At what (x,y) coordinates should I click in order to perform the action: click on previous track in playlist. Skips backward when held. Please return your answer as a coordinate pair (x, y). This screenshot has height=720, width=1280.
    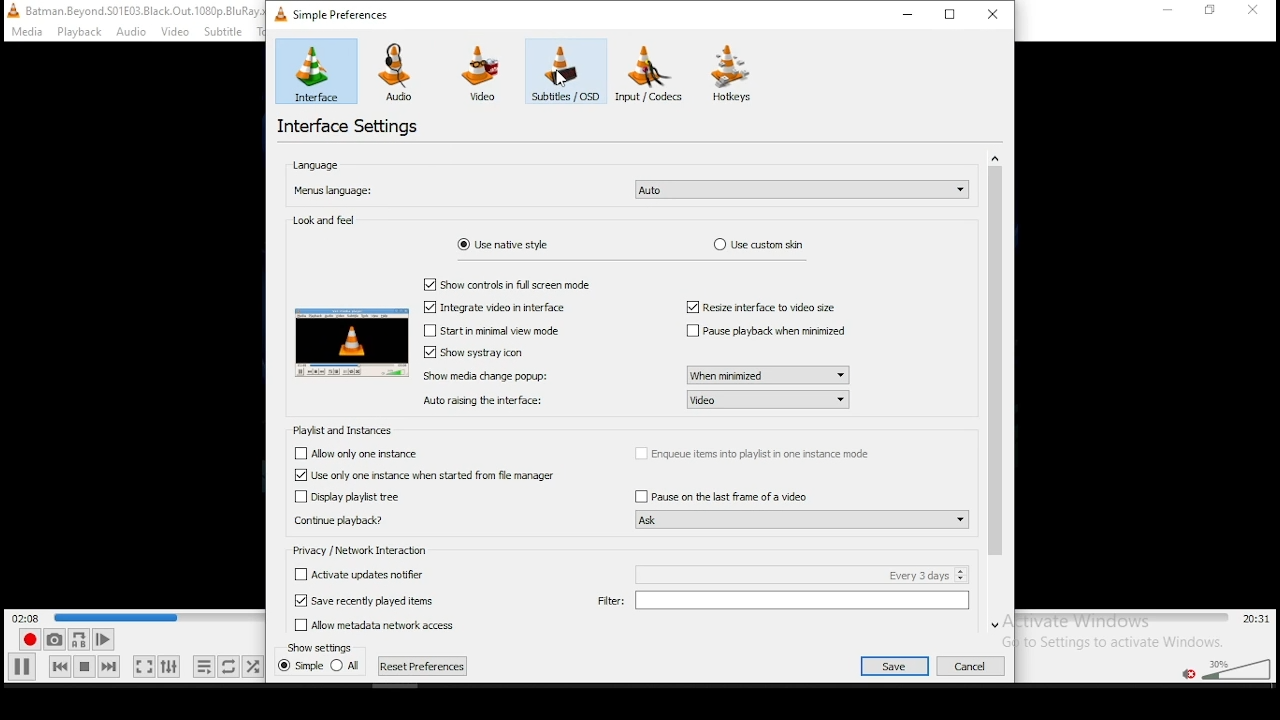
    Looking at the image, I should click on (59, 665).